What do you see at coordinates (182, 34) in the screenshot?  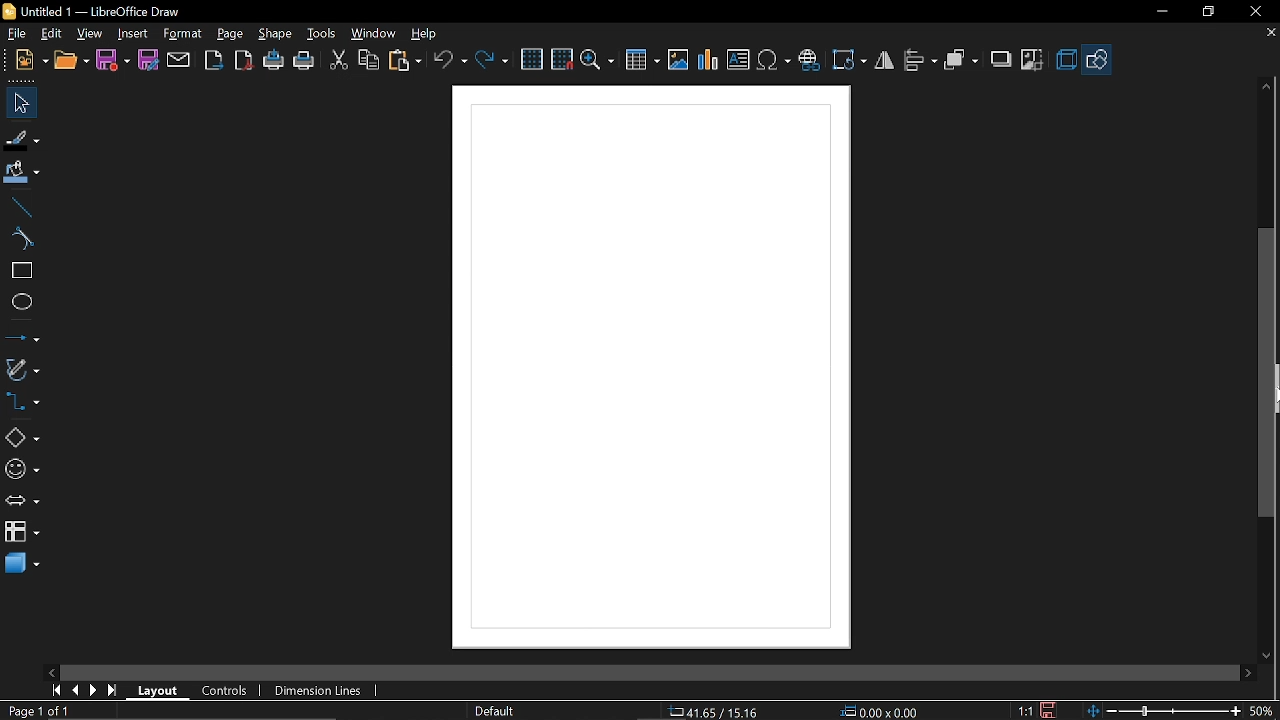 I see `format` at bounding box center [182, 34].